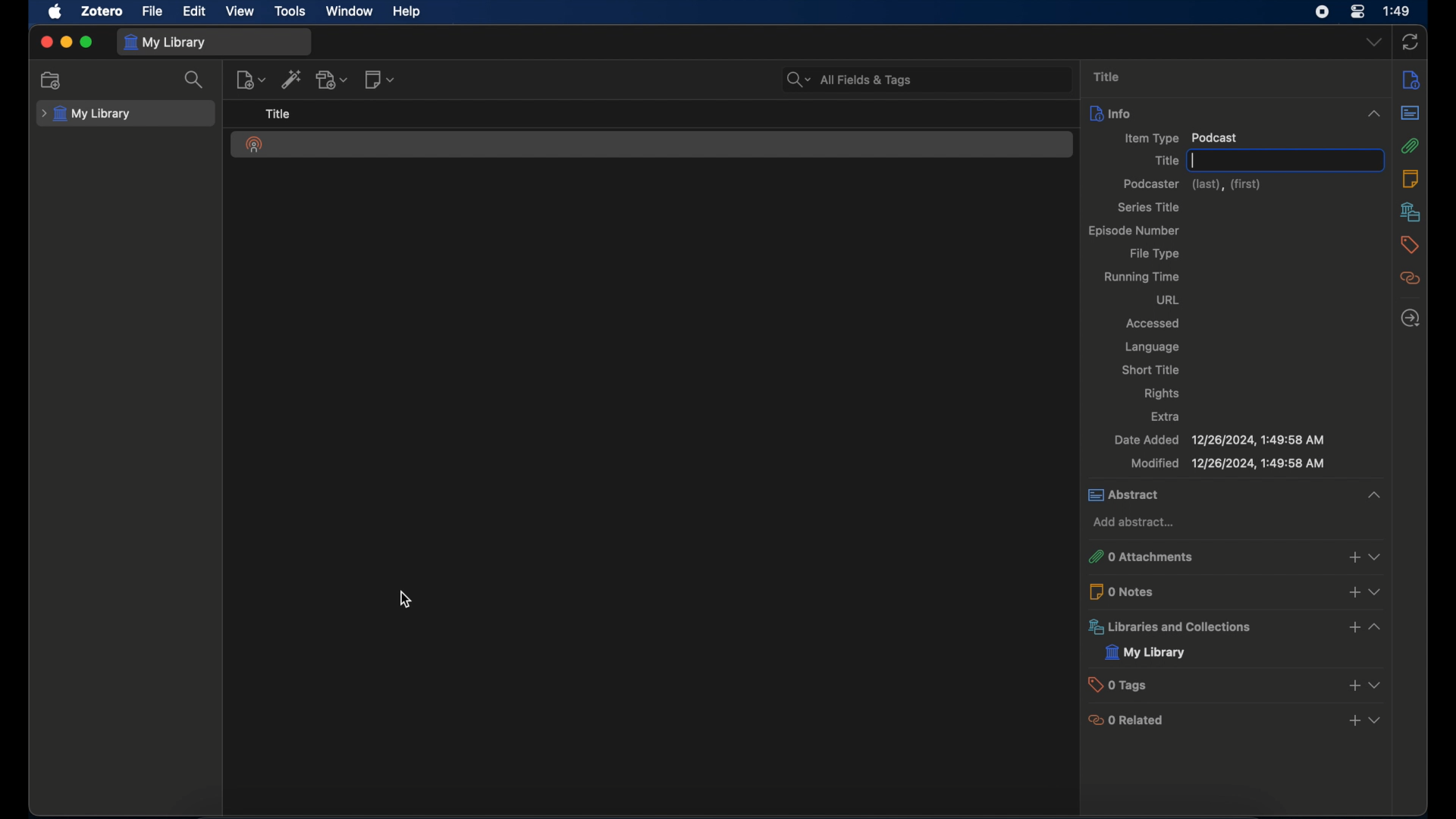 The width and height of the screenshot is (1456, 819). I want to click on maximize, so click(86, 42).